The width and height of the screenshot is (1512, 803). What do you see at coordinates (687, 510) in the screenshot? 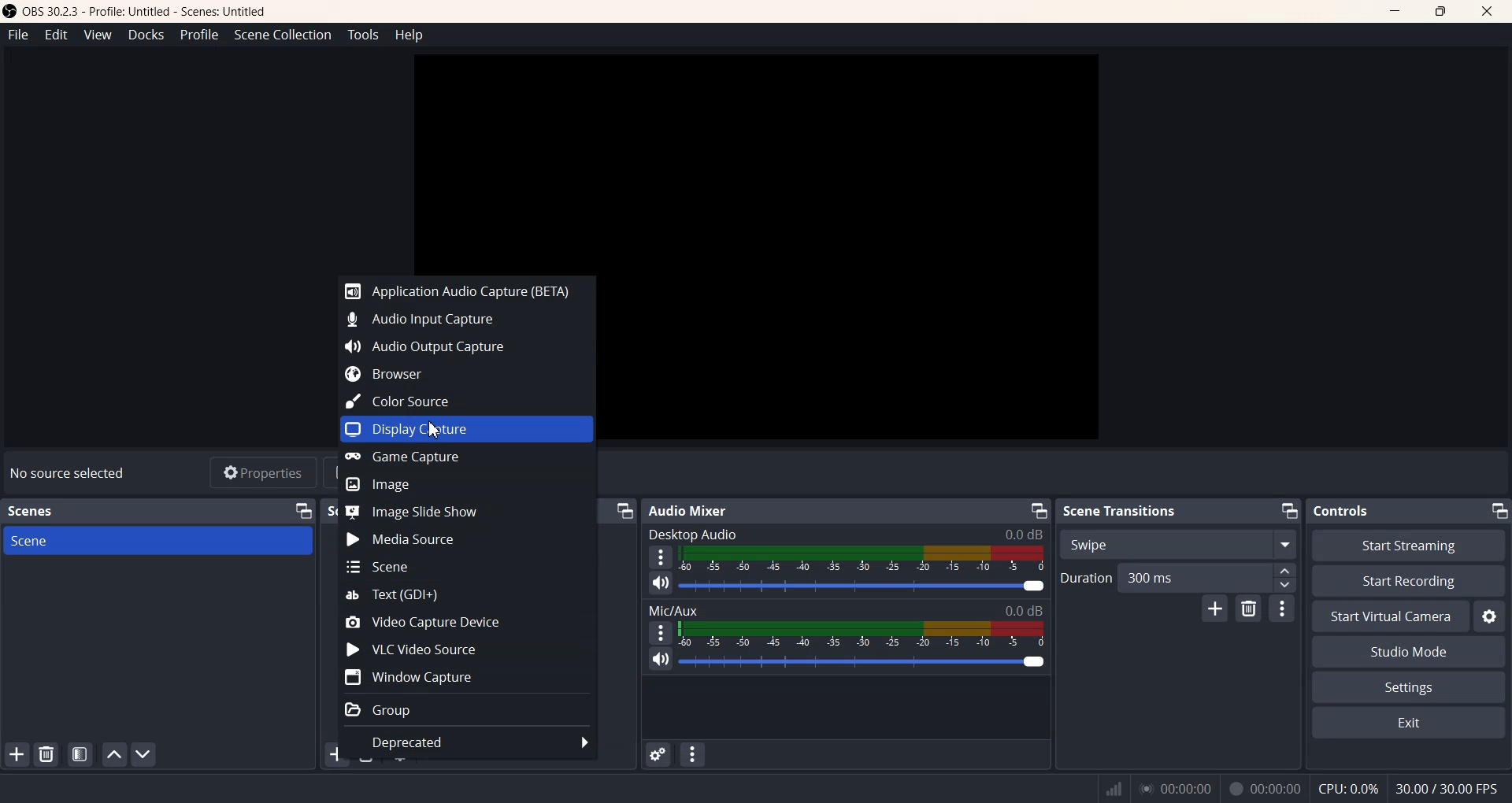
I see `Audio Mixer` at bounding box center [687, 510].